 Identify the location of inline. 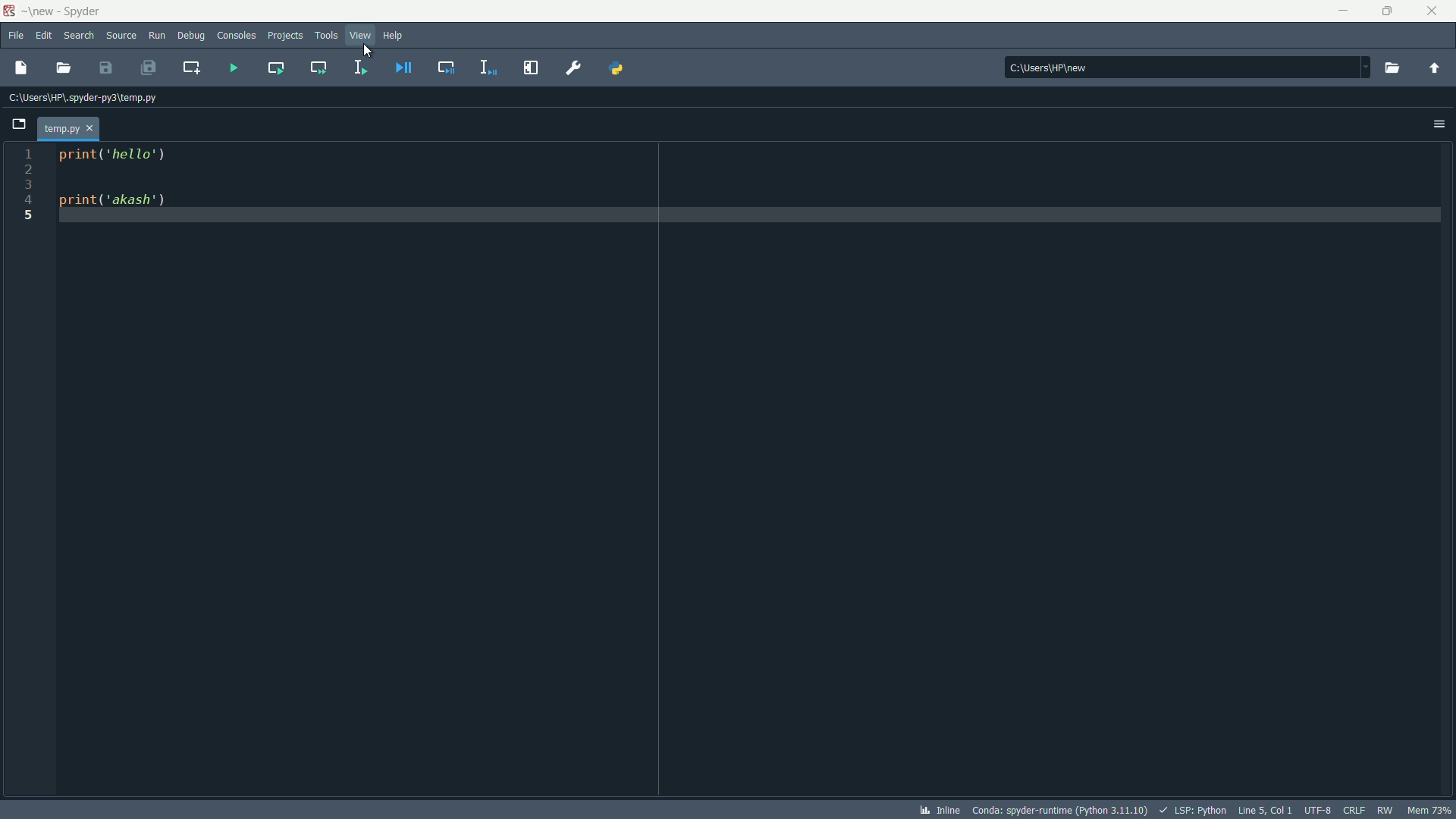
(937, 811).